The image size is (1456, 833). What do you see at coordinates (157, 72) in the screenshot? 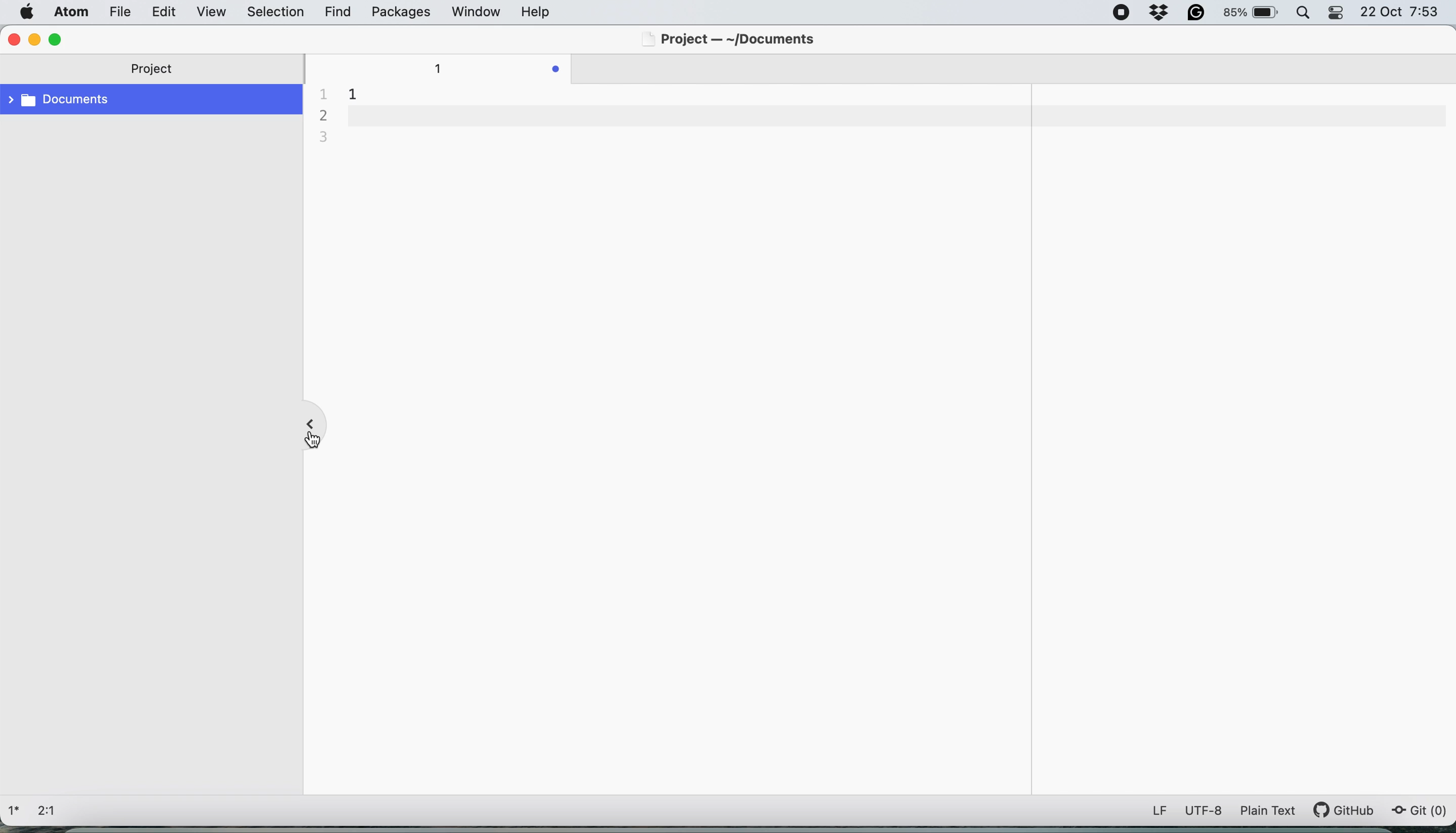
I see `project` at bounding box center [157, 72].